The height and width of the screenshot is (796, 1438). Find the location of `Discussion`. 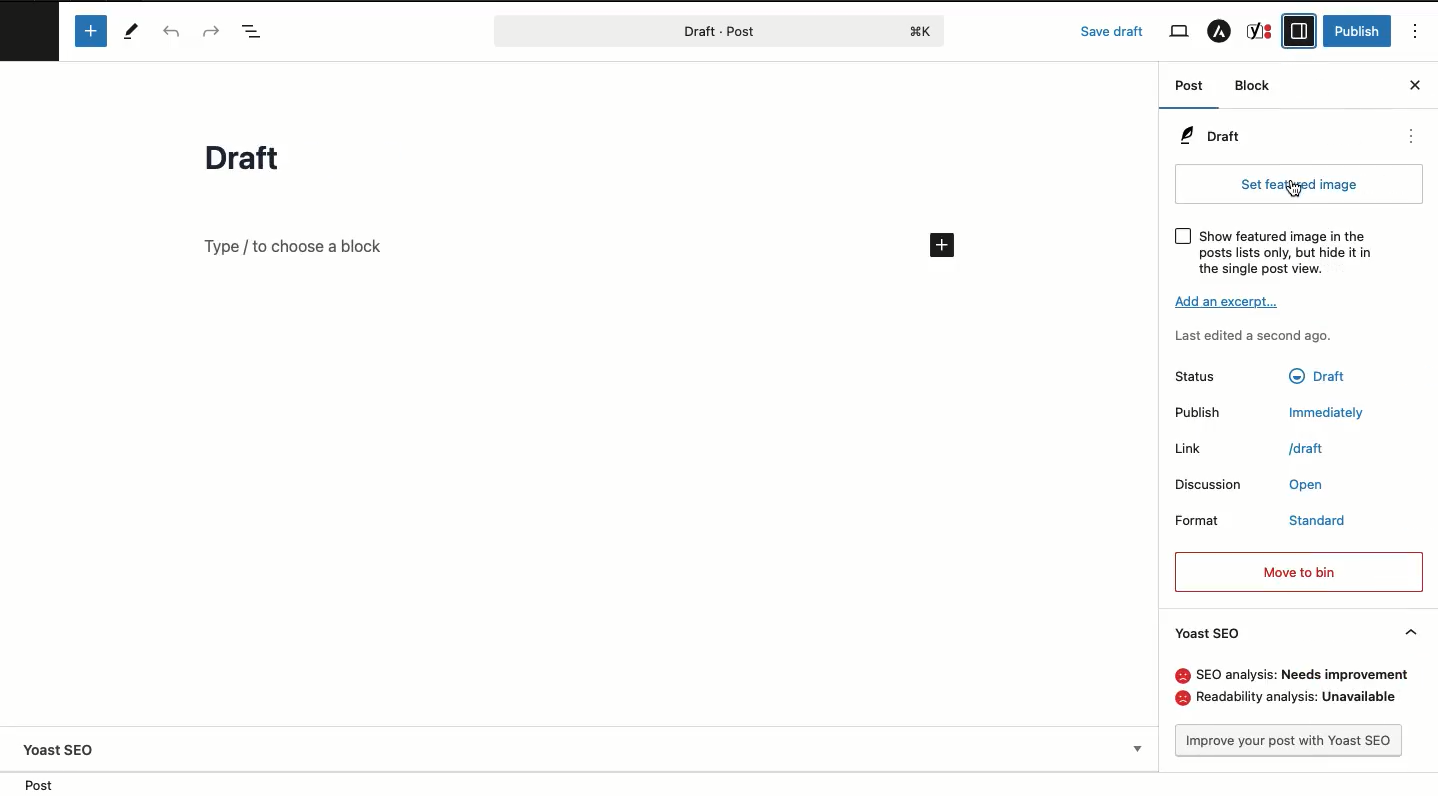

Discussion is located at coordinates (1205, 484).